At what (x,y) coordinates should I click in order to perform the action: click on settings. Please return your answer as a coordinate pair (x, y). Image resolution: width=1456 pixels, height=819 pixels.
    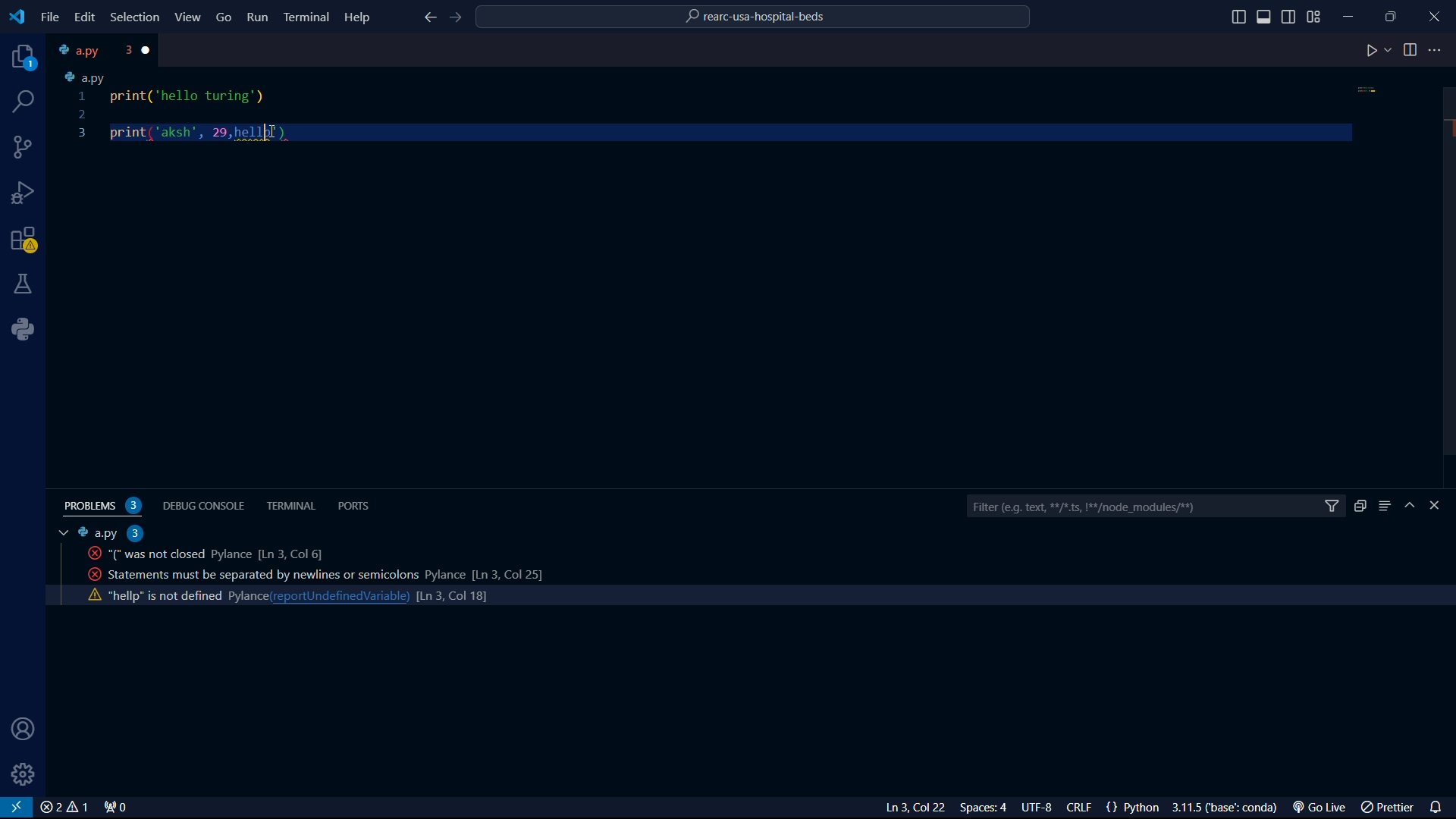
    Looking at the image, I should click on (24, 774).